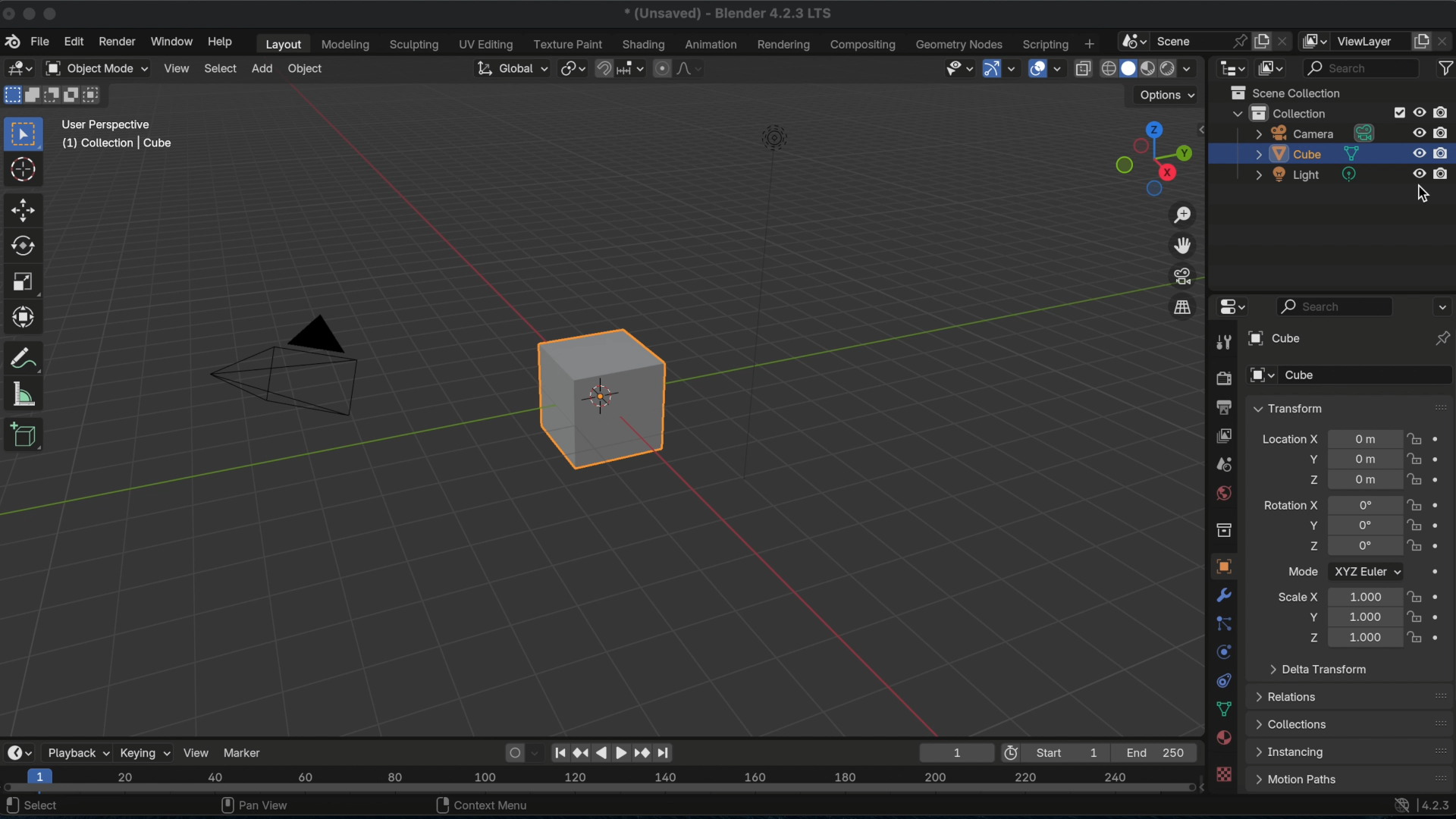 Image resolution: width=1456 pixels, height=819 pixels. I want to click on select box, so click(21, 130).